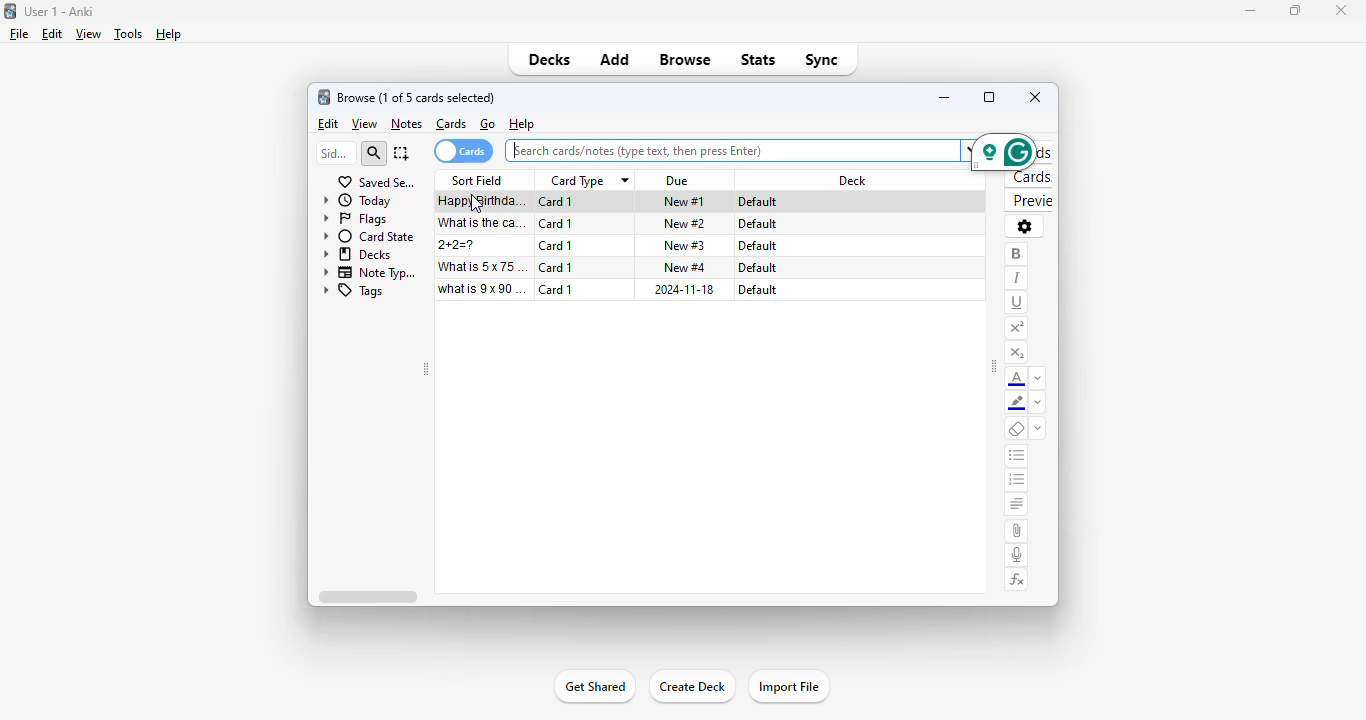 The height and width of the screenshot is (720, 1366). Describe the element at coordinates (684, 201) in the screenshot. I see `new #1` at that location.